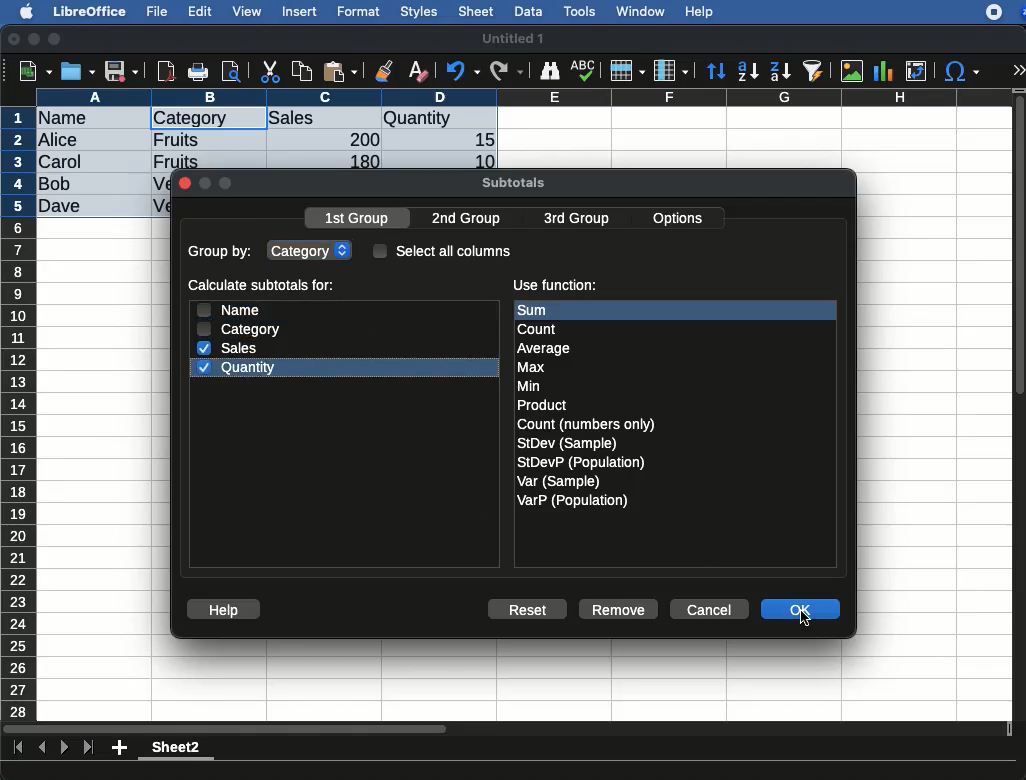  Describe the element at coordinates (854, 71) in the screenshot. I see `image` at that location.